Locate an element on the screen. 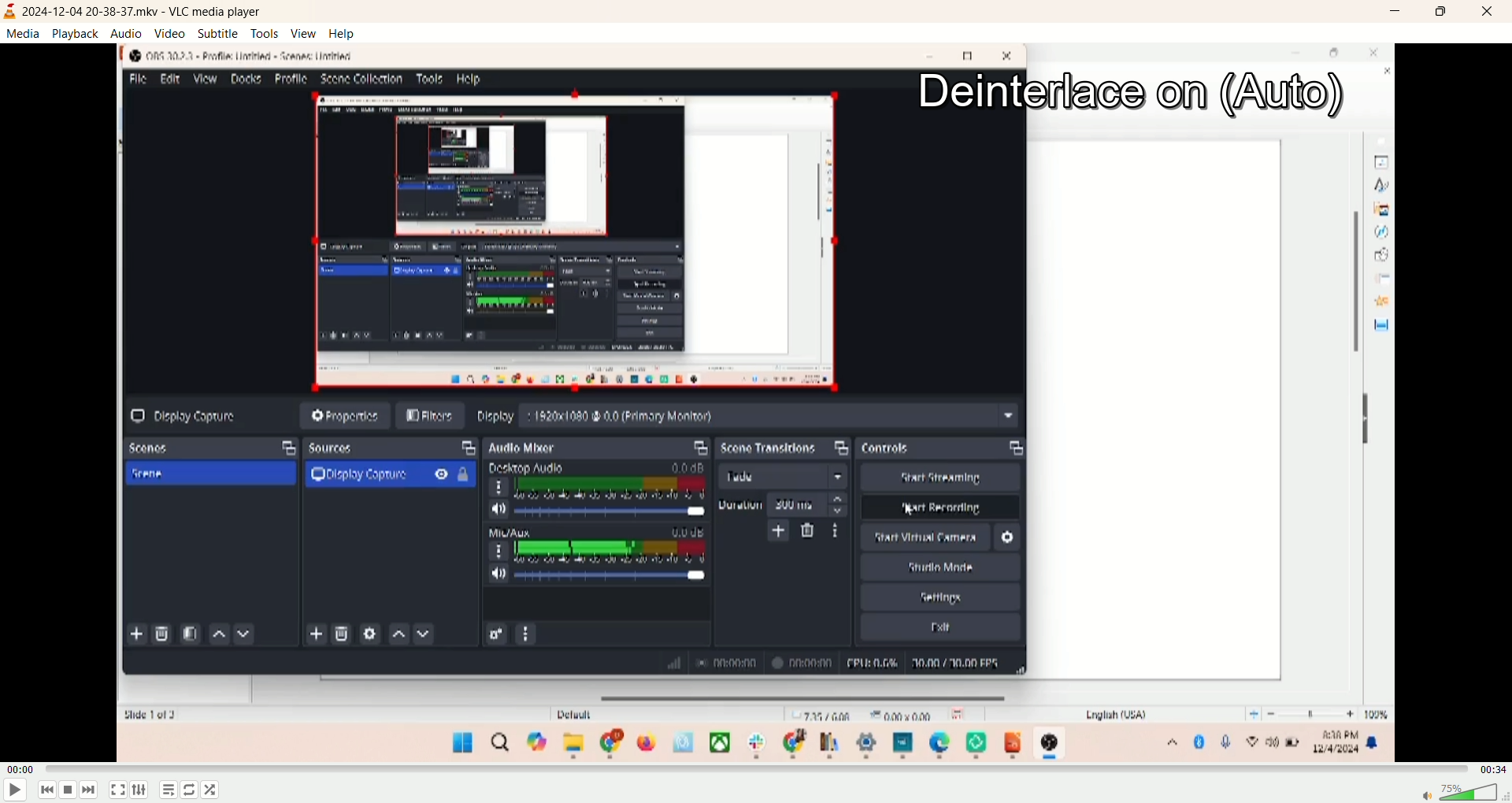  deinterlace on is located at coordinates (1133, 95).